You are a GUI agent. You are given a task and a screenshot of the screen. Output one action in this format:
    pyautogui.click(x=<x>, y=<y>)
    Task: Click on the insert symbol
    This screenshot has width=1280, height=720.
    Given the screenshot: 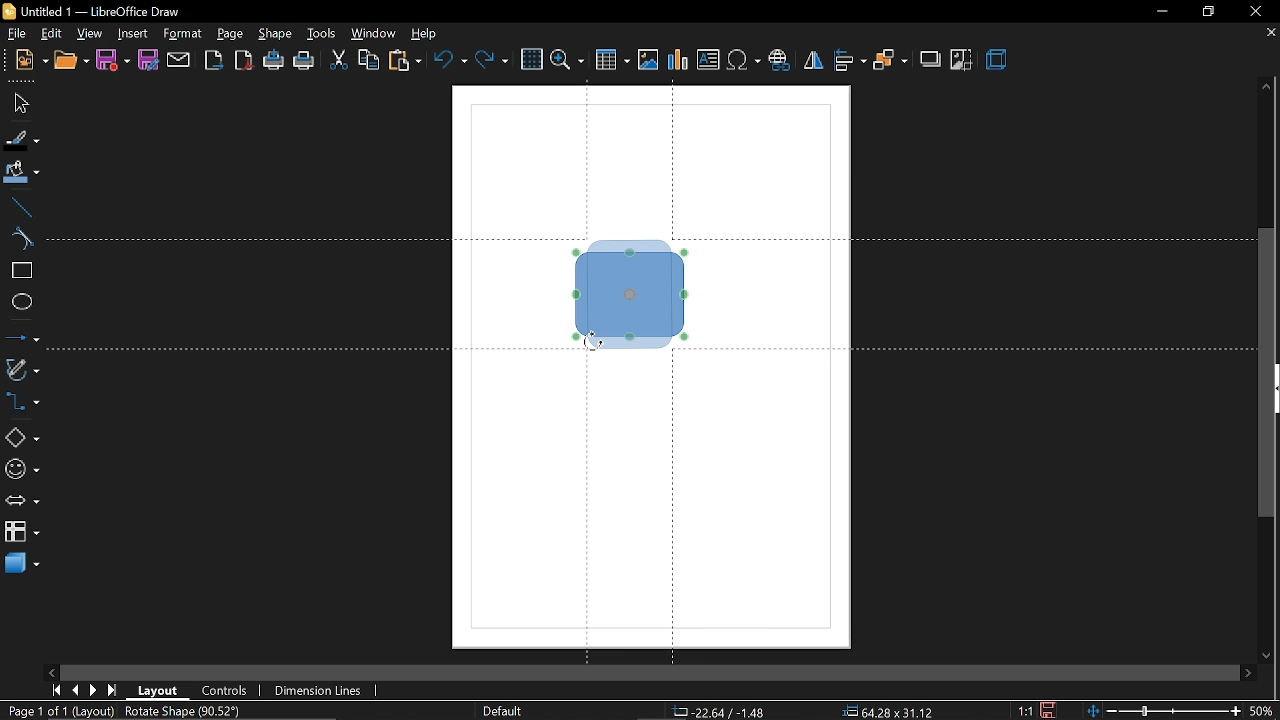 What is the action you would take?
    pyautogui.click(x=745, y=62)
    